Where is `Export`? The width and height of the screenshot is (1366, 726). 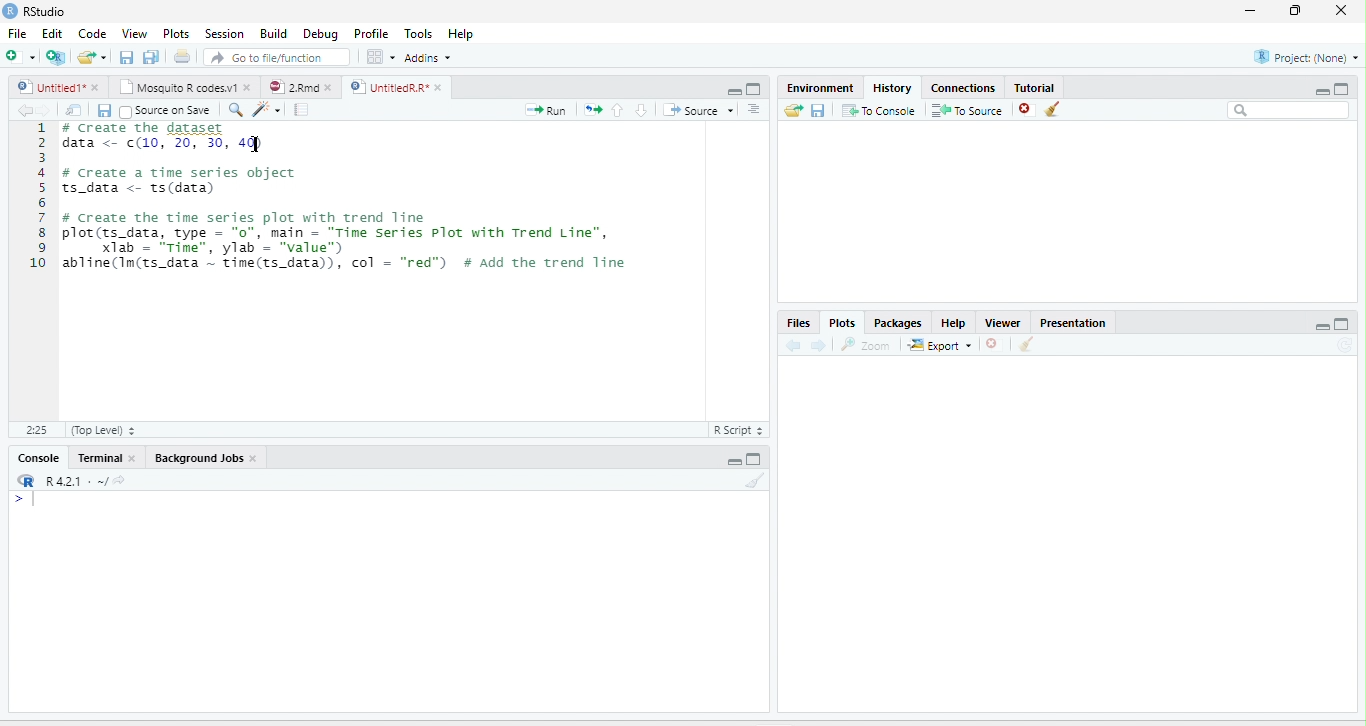 Export is located at coordinates (940, 345).